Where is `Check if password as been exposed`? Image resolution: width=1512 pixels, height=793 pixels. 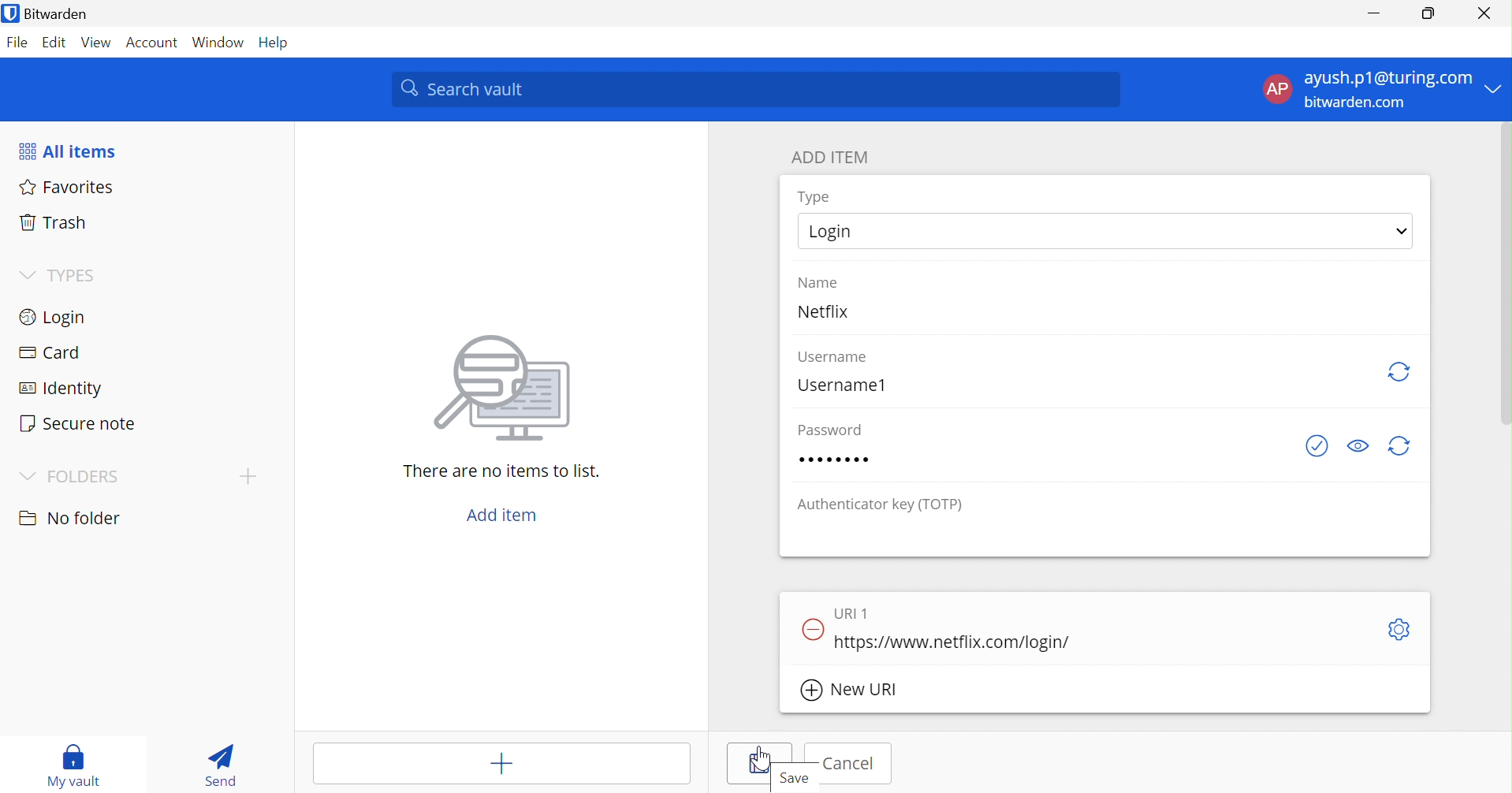 Check if password as been exposed is located at coordinates (1316, 446).